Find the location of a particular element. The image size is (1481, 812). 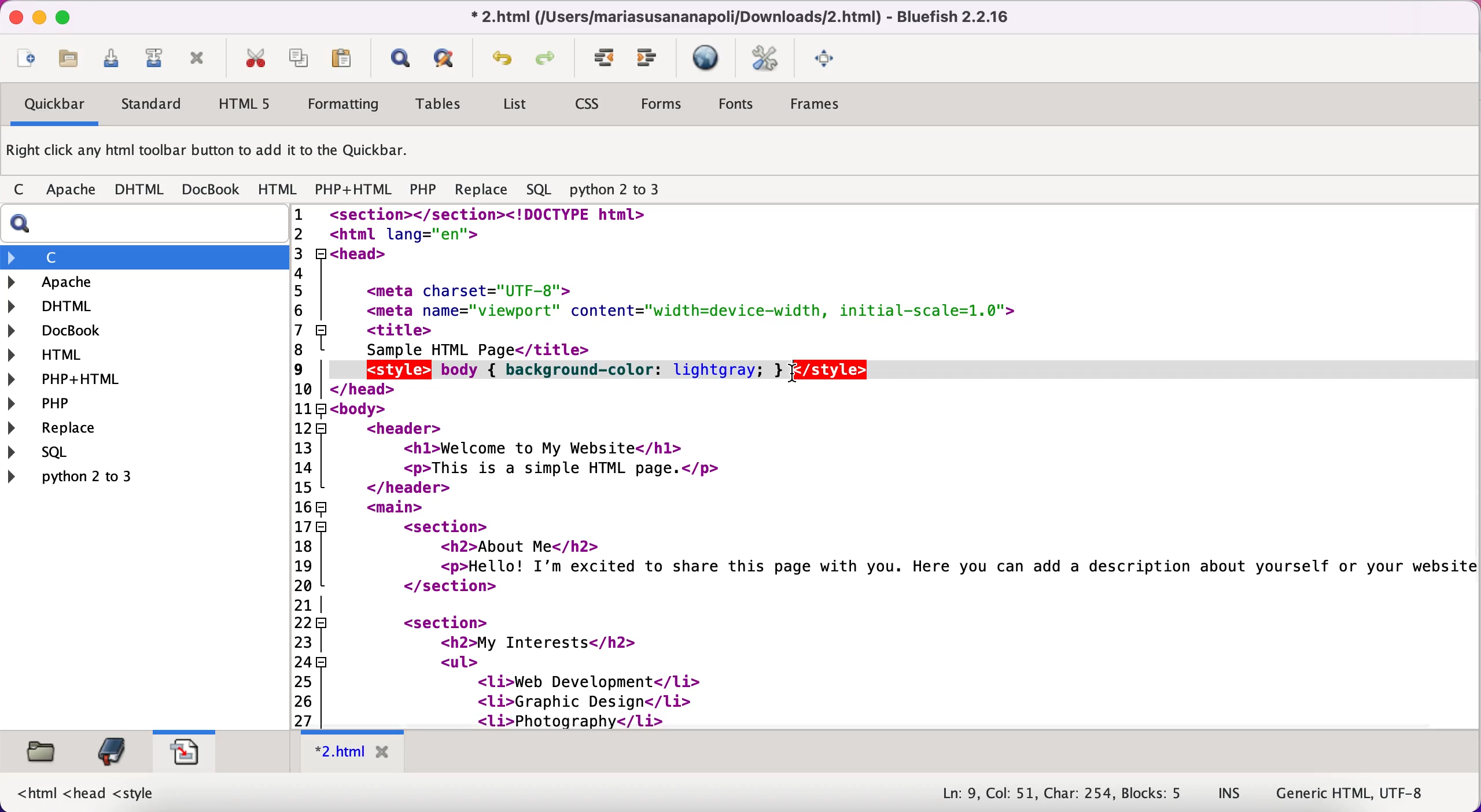

php is located at coordinates (423, 191).